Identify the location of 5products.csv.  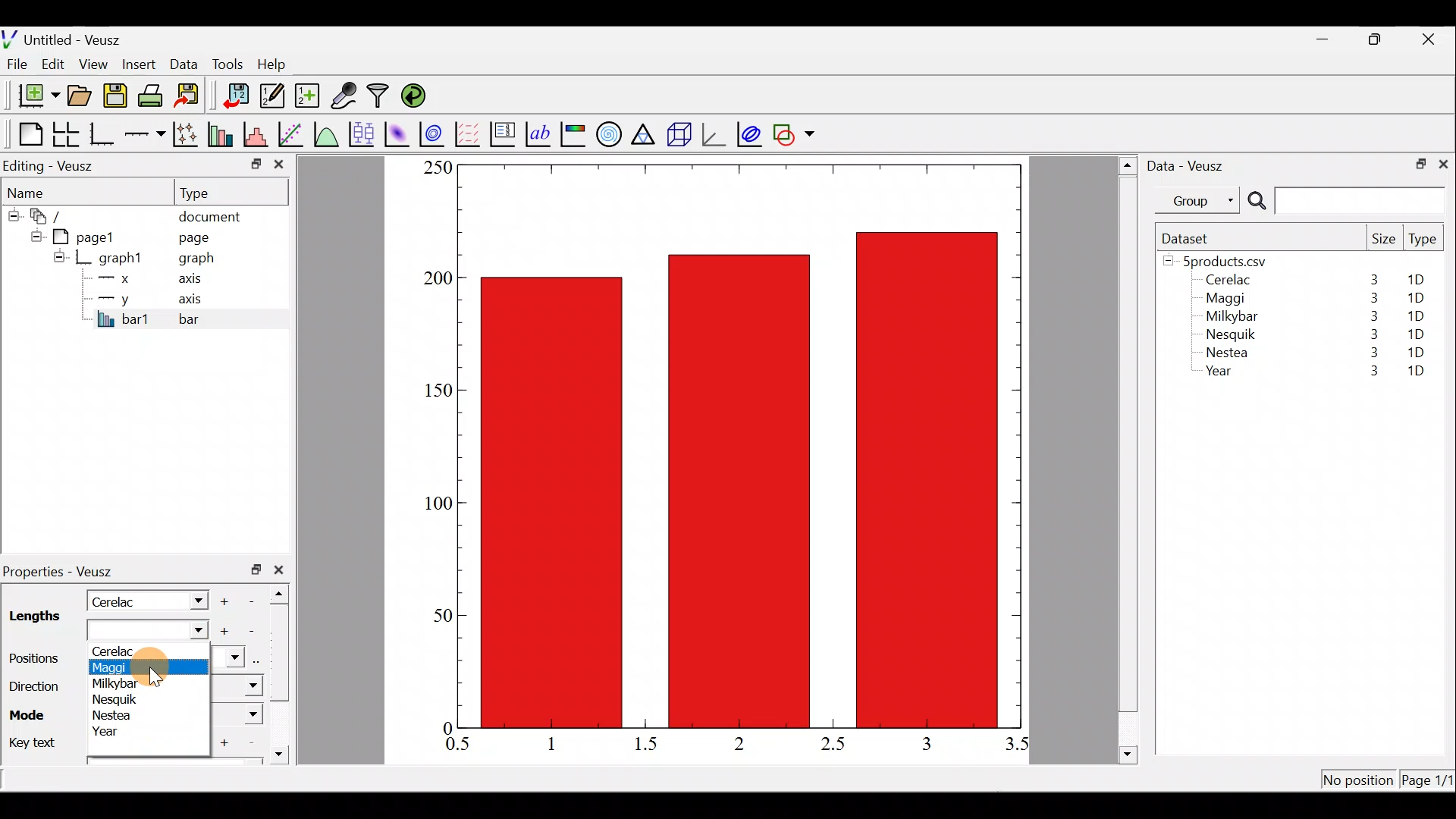
(1223, 260).